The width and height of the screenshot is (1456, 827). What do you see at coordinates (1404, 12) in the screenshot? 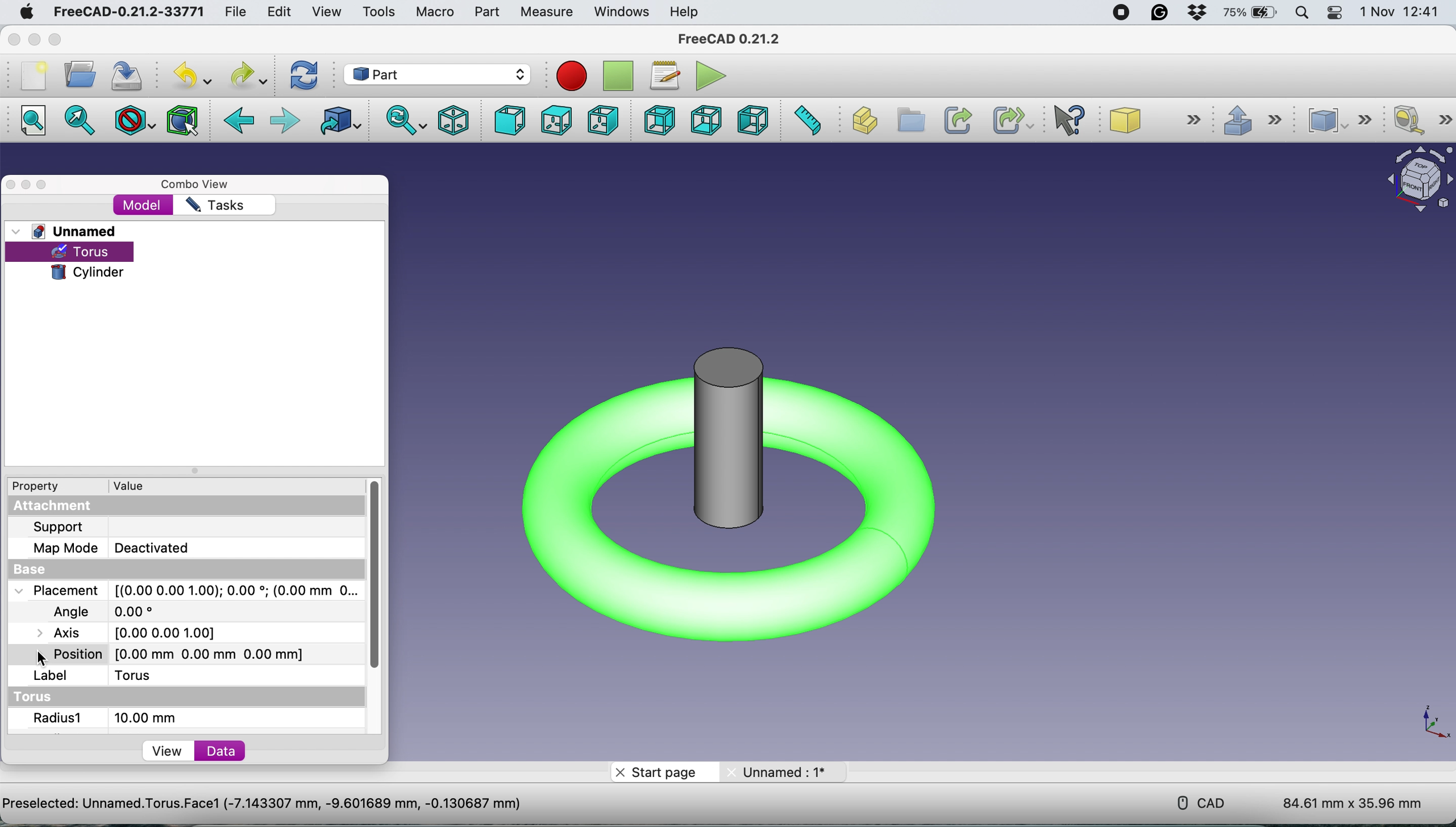
I see `1 nov 12.41` at bounding box center [1404, 12].